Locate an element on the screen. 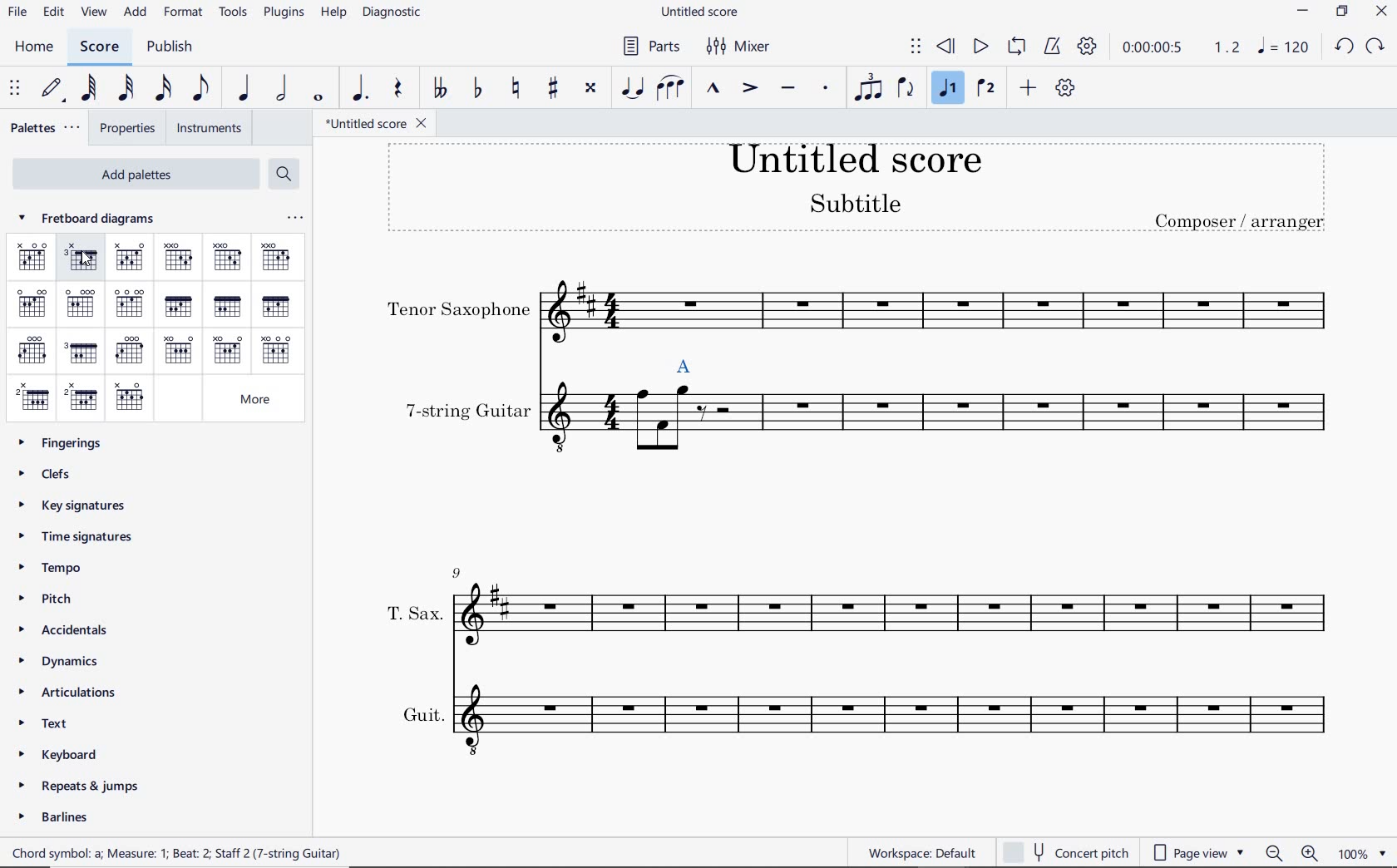  BM is located at coordinates (83, 398).